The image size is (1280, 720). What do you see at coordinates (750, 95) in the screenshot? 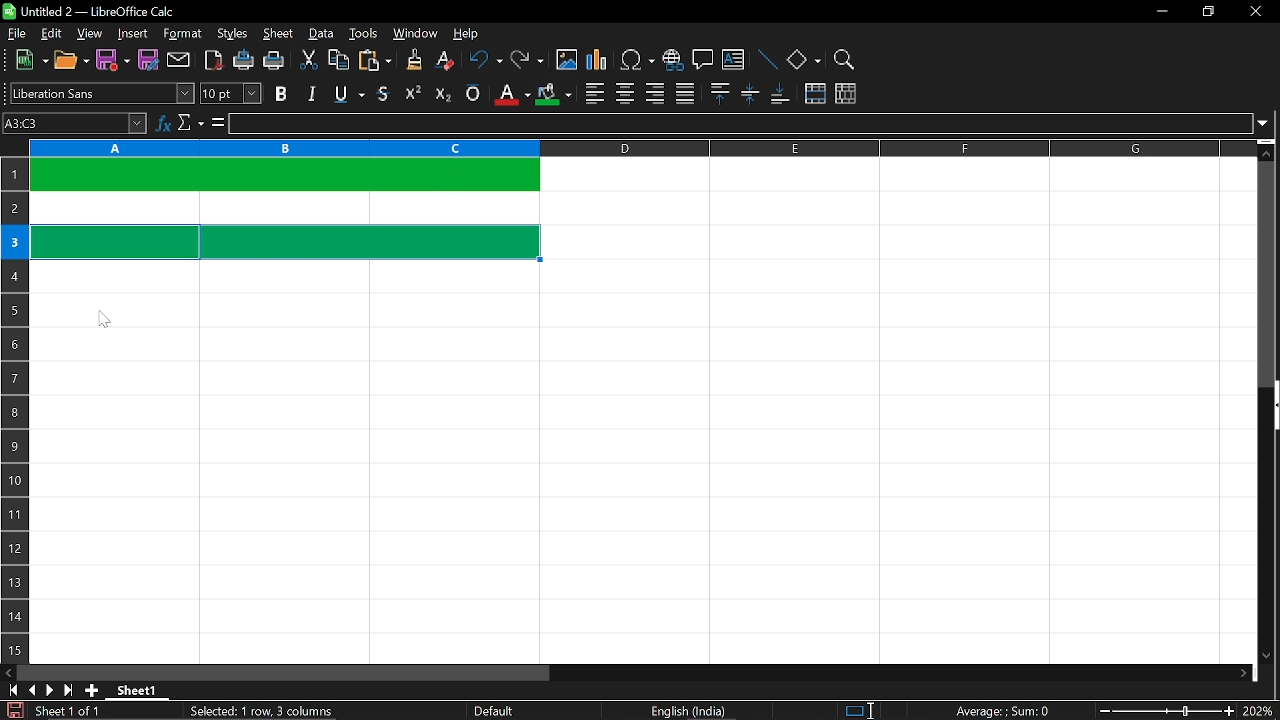
I see `center vertically` at bounding box center [750, 95].